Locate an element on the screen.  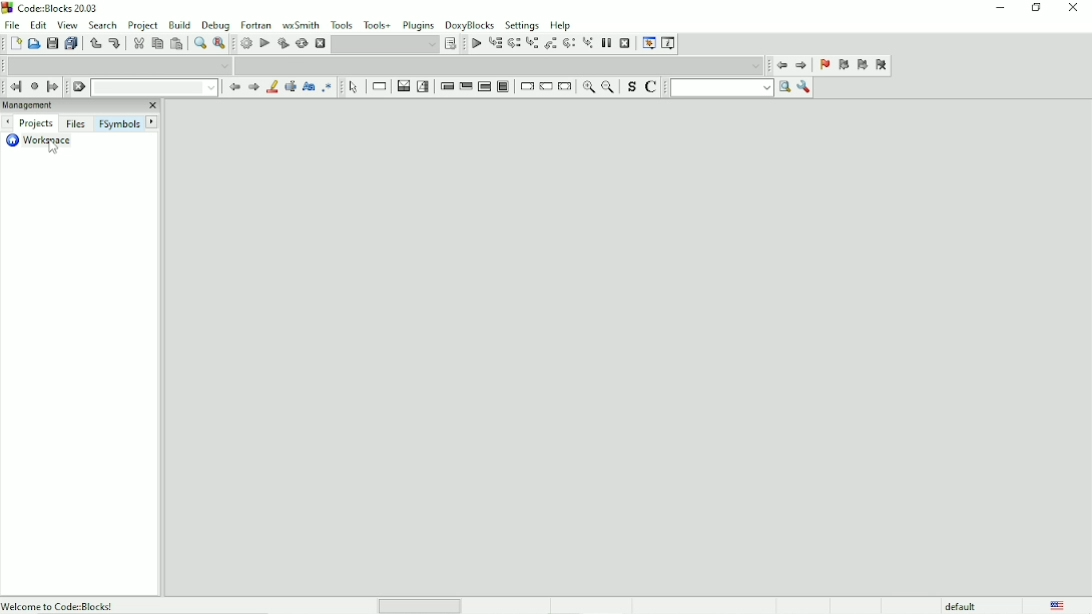
Stop debugger is located at coordinates (625, 43).